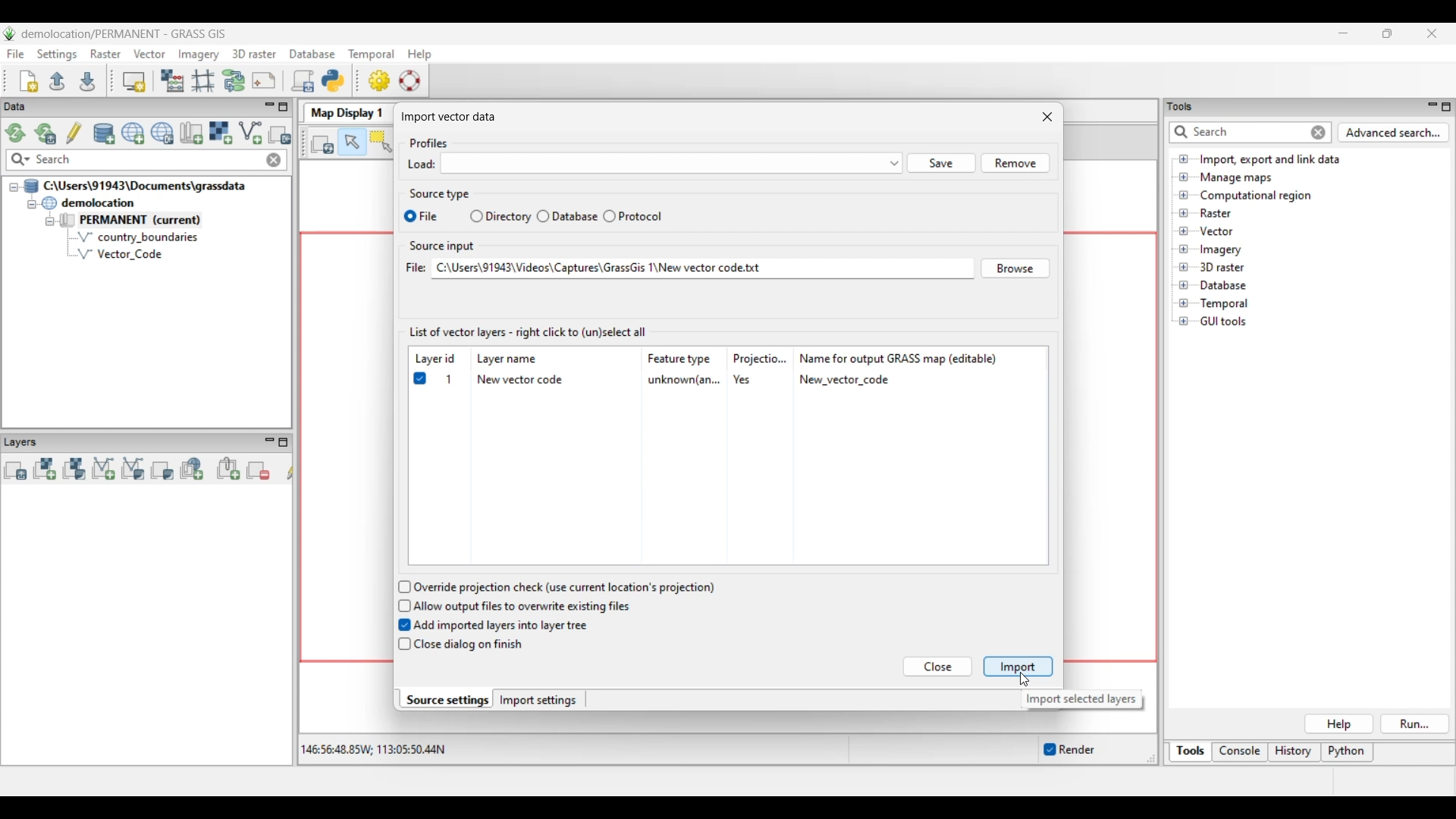 Image resolution: width=1456 pixels, height=819 pixels. Describe the element at coordinates (303, 80) in the screenshot. I see `Launch user-defined script` at that location.